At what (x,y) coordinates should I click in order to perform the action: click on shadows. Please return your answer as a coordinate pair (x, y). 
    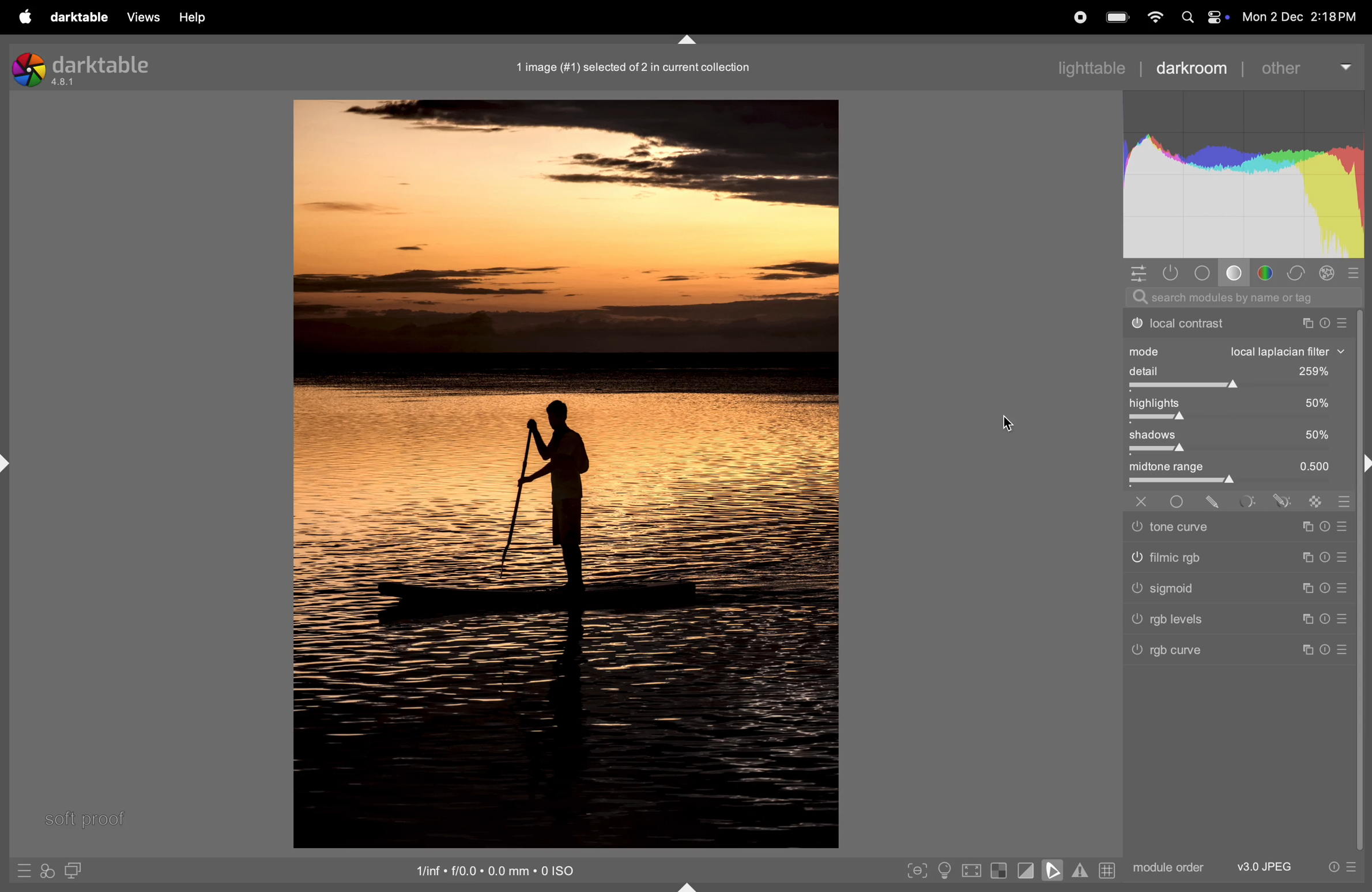
    Looking at the image, I should click on (1235, 435).